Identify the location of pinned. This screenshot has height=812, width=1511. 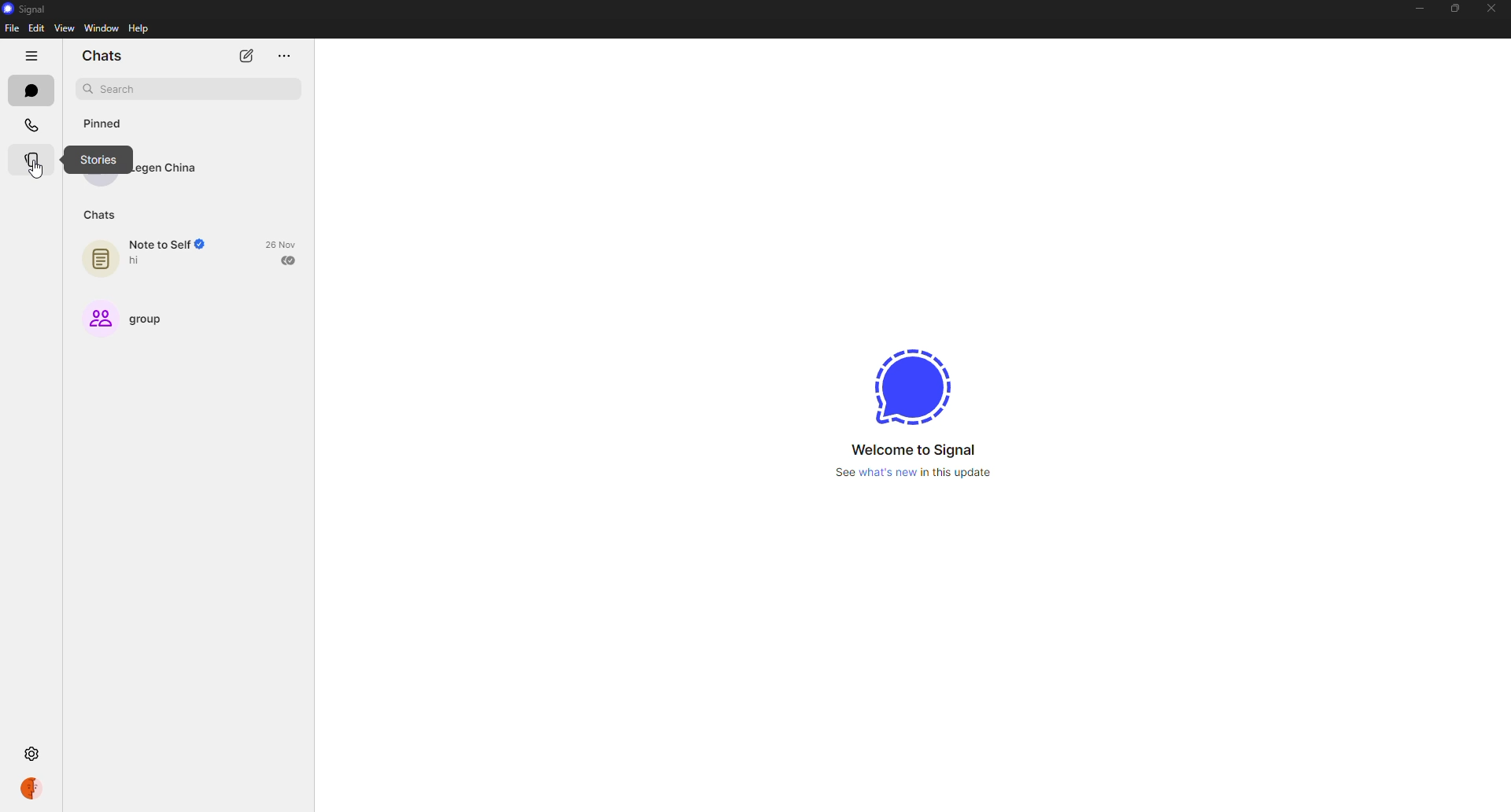
(103, 123).